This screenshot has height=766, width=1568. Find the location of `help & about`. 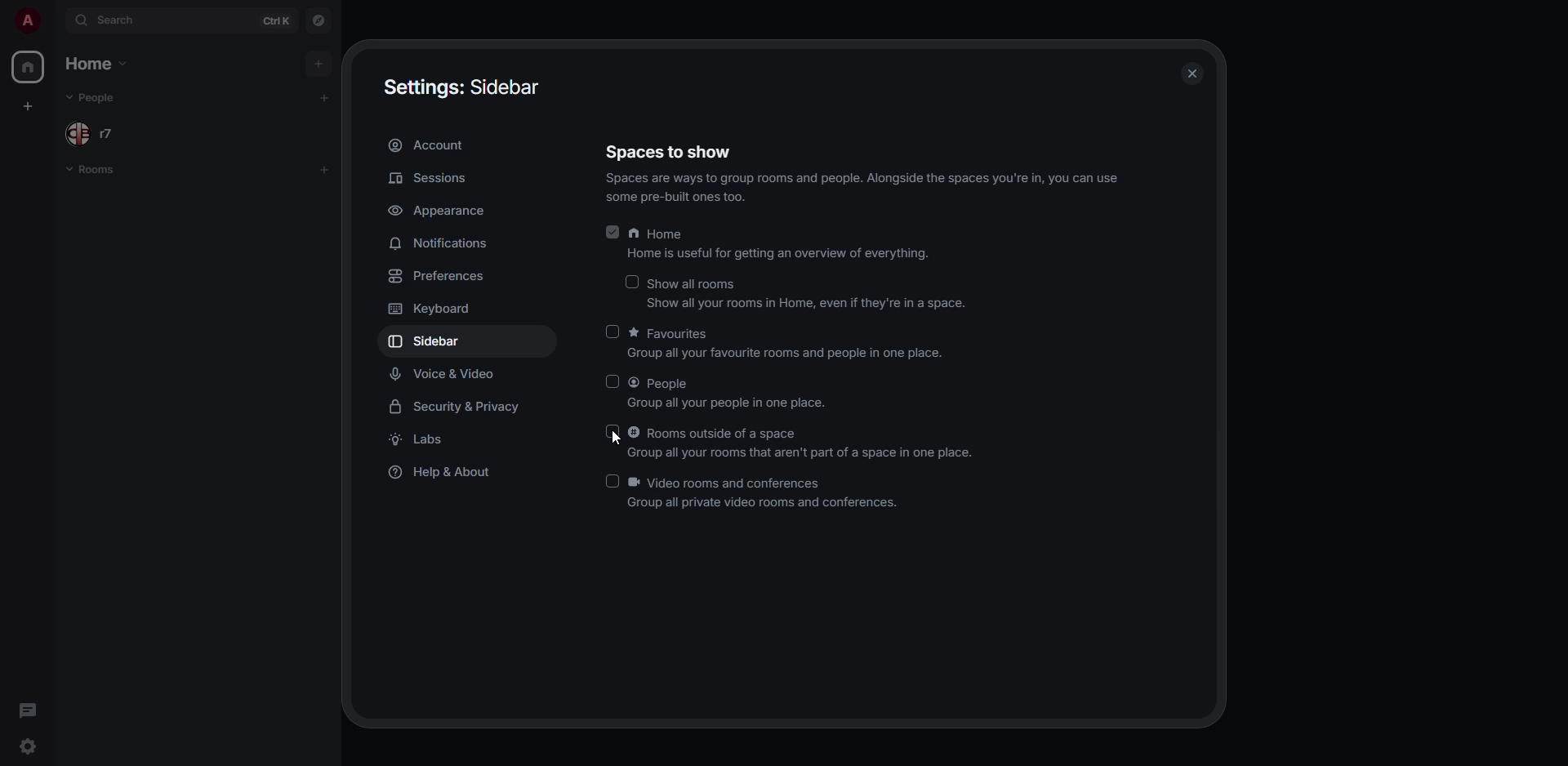

help & about is located at coordinates (446, 474).